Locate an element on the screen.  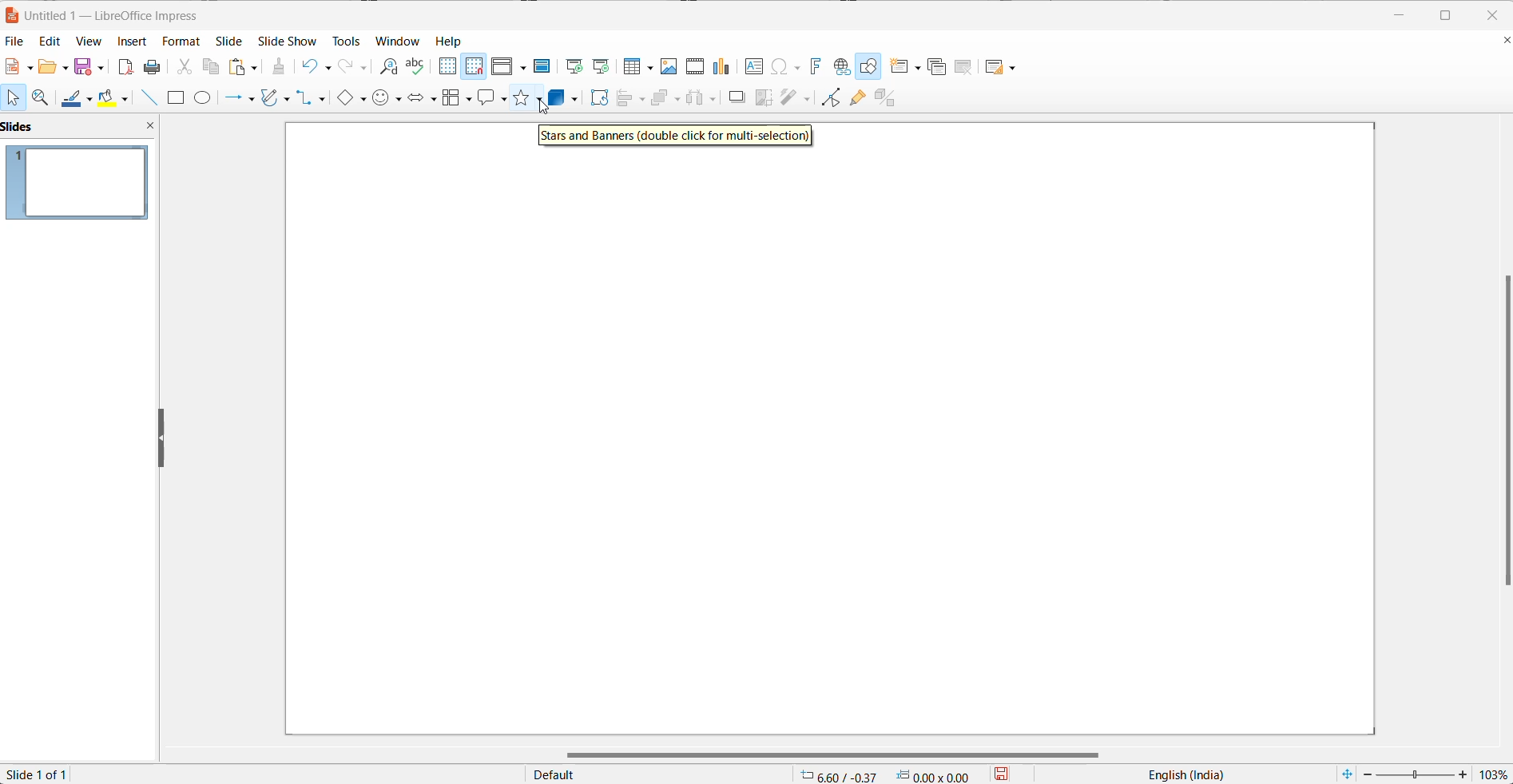
copy is located at coordinates (212, 69).